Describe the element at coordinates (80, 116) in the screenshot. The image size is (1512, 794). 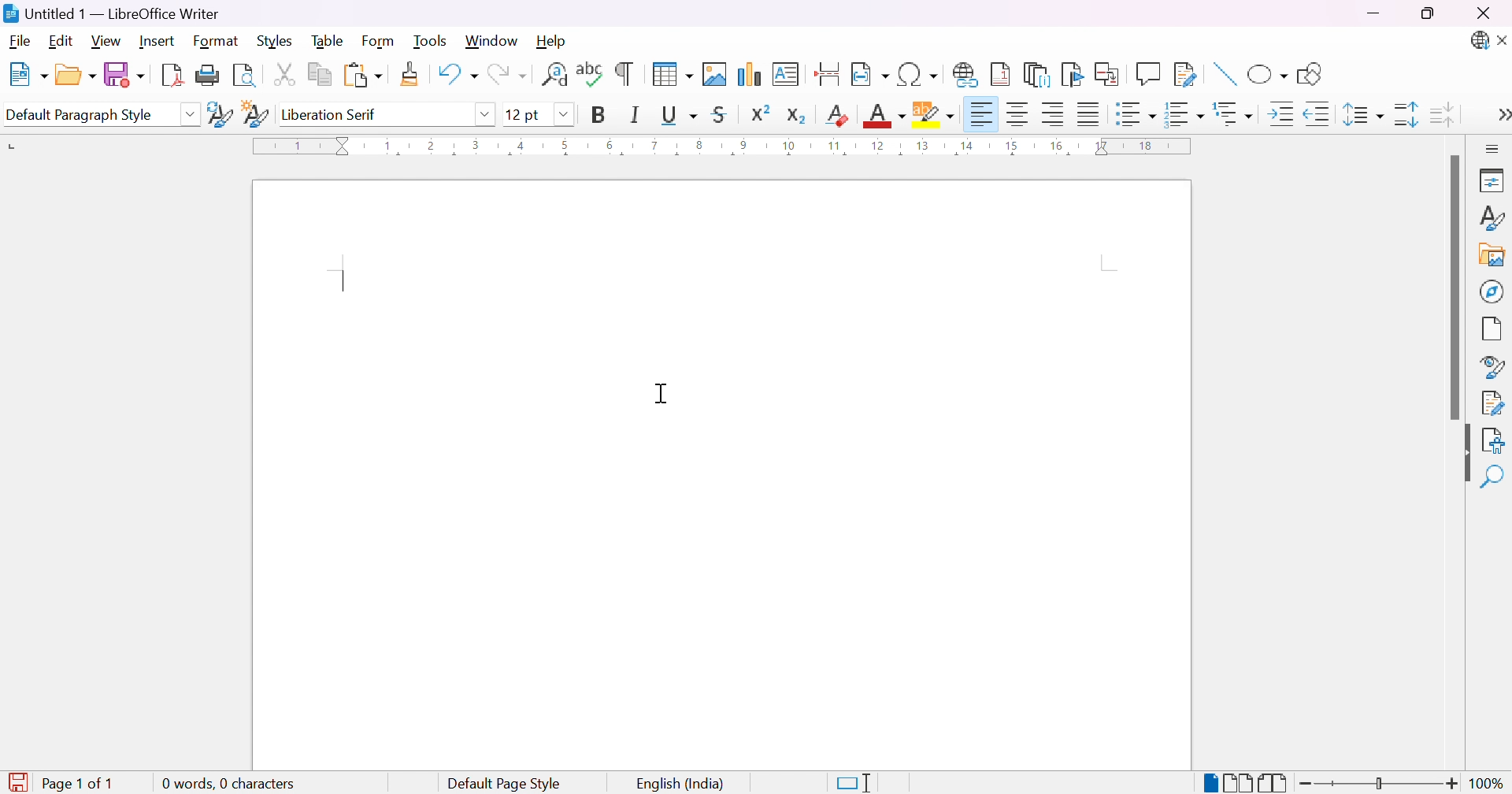
I see `Default paragraph style` at that location.